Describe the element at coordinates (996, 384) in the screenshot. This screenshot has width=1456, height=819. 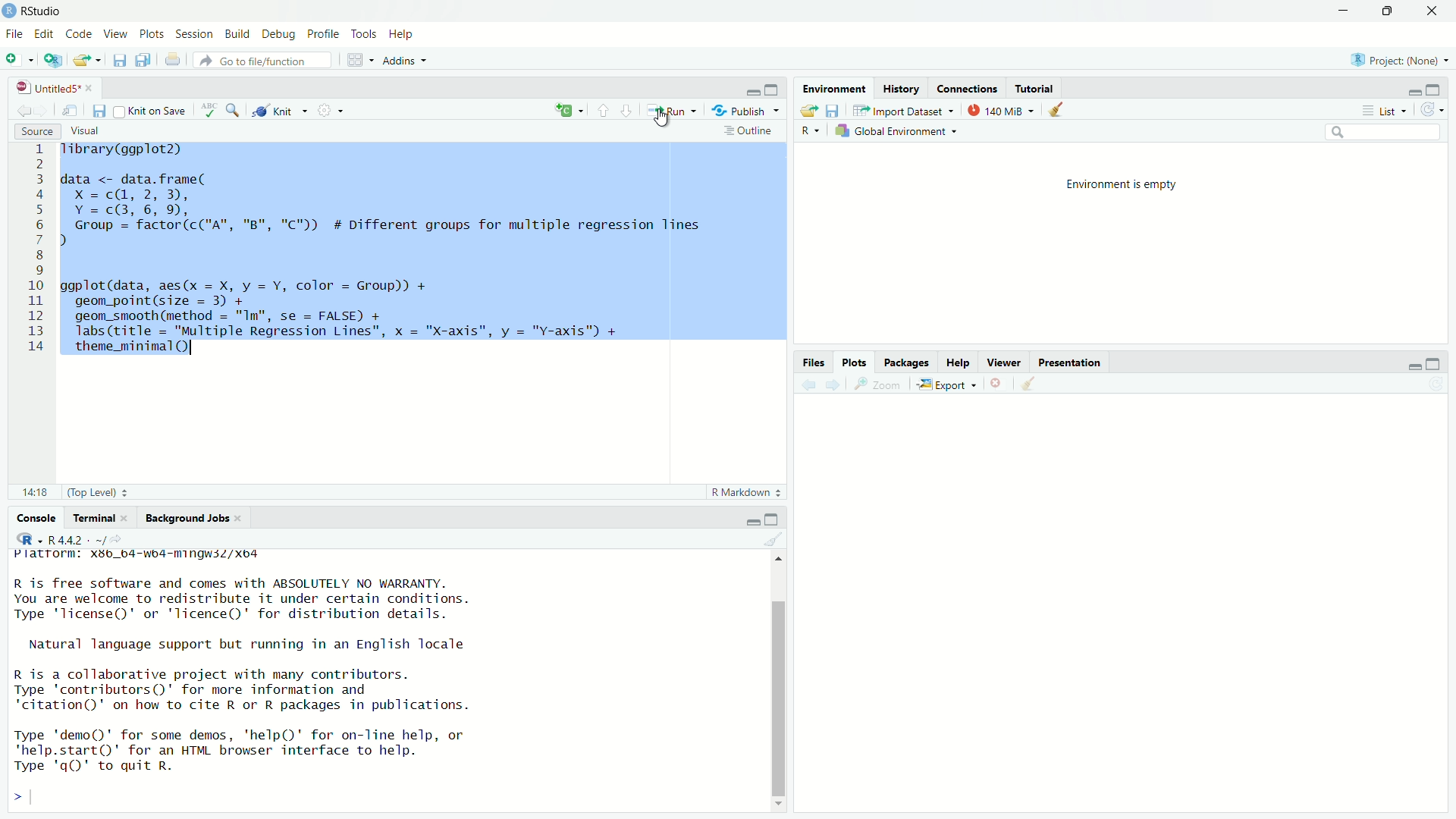
I see `close` at that location.